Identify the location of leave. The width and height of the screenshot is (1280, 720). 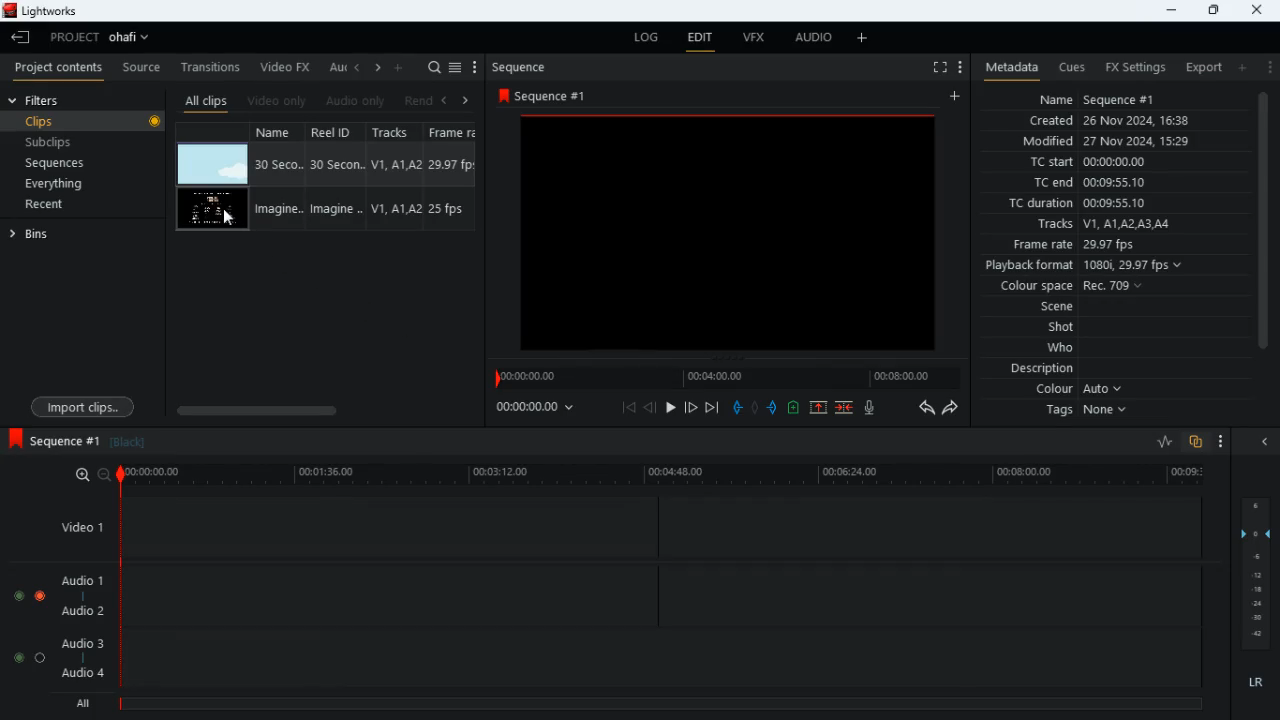
(22, 37).